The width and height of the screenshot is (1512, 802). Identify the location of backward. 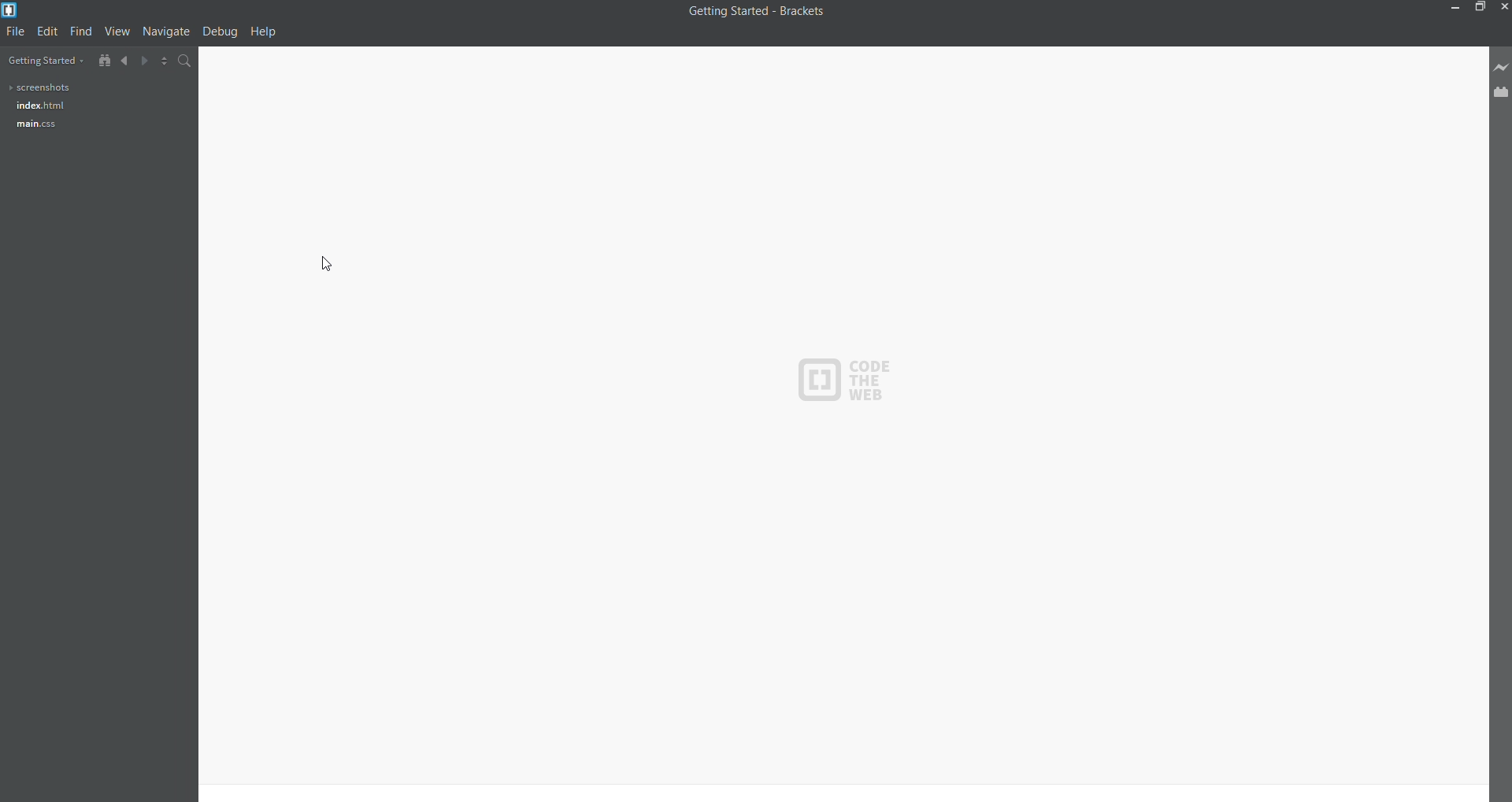
(119, 60).